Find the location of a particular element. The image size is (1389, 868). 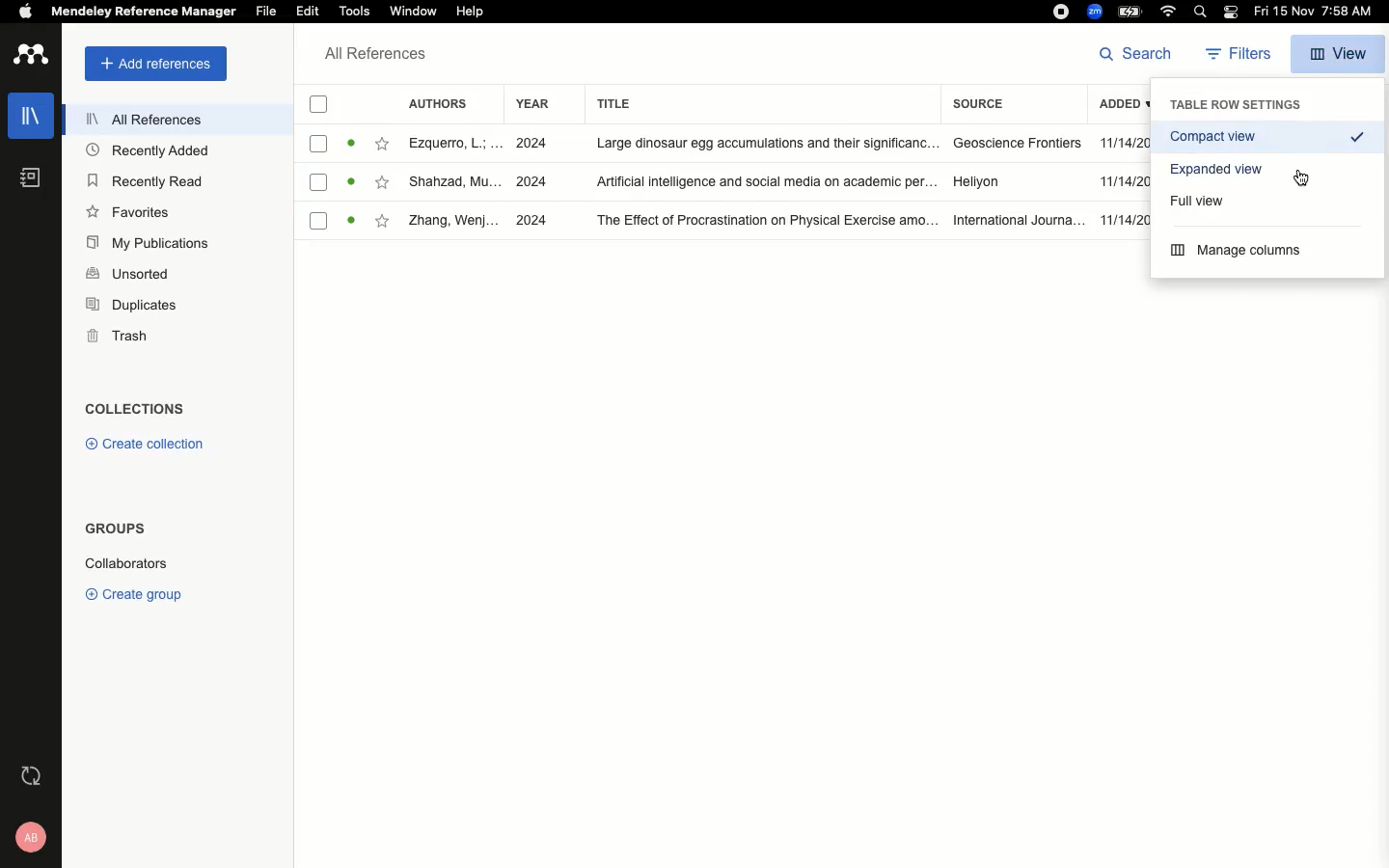

Account and help is located at coordinates (25, 838).